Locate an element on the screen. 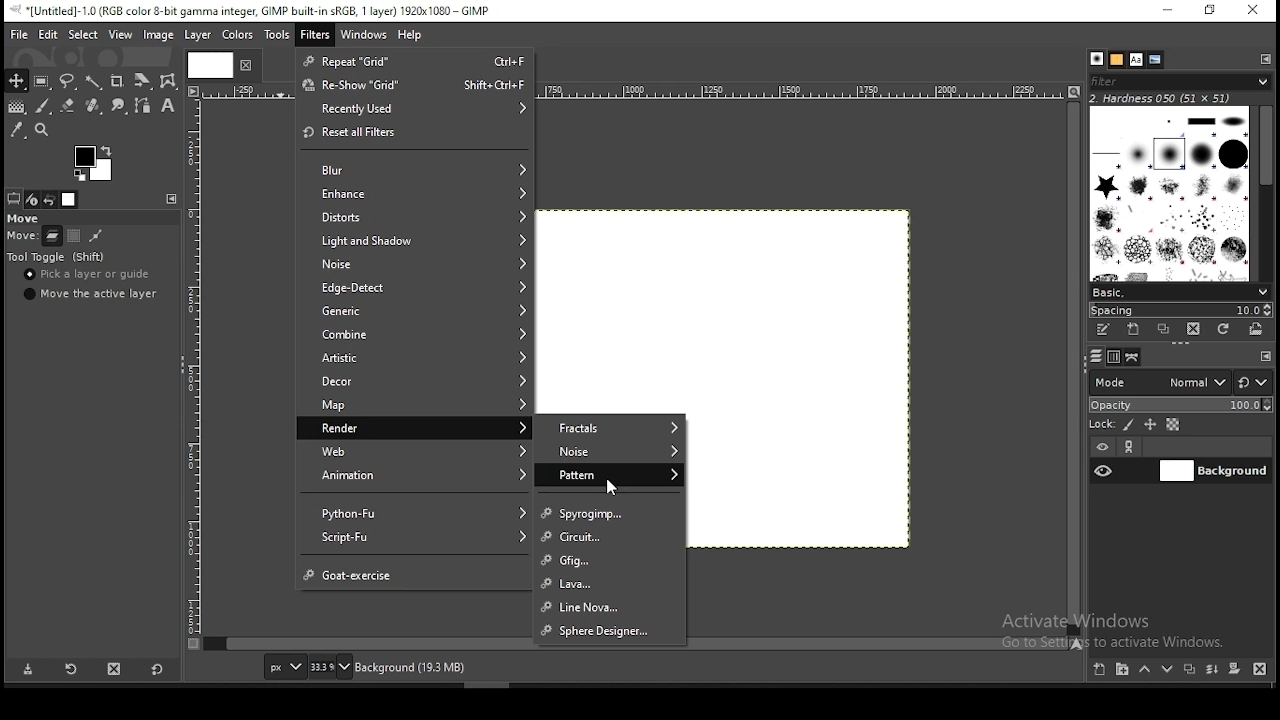  tools is located at coordinates (280, 35).